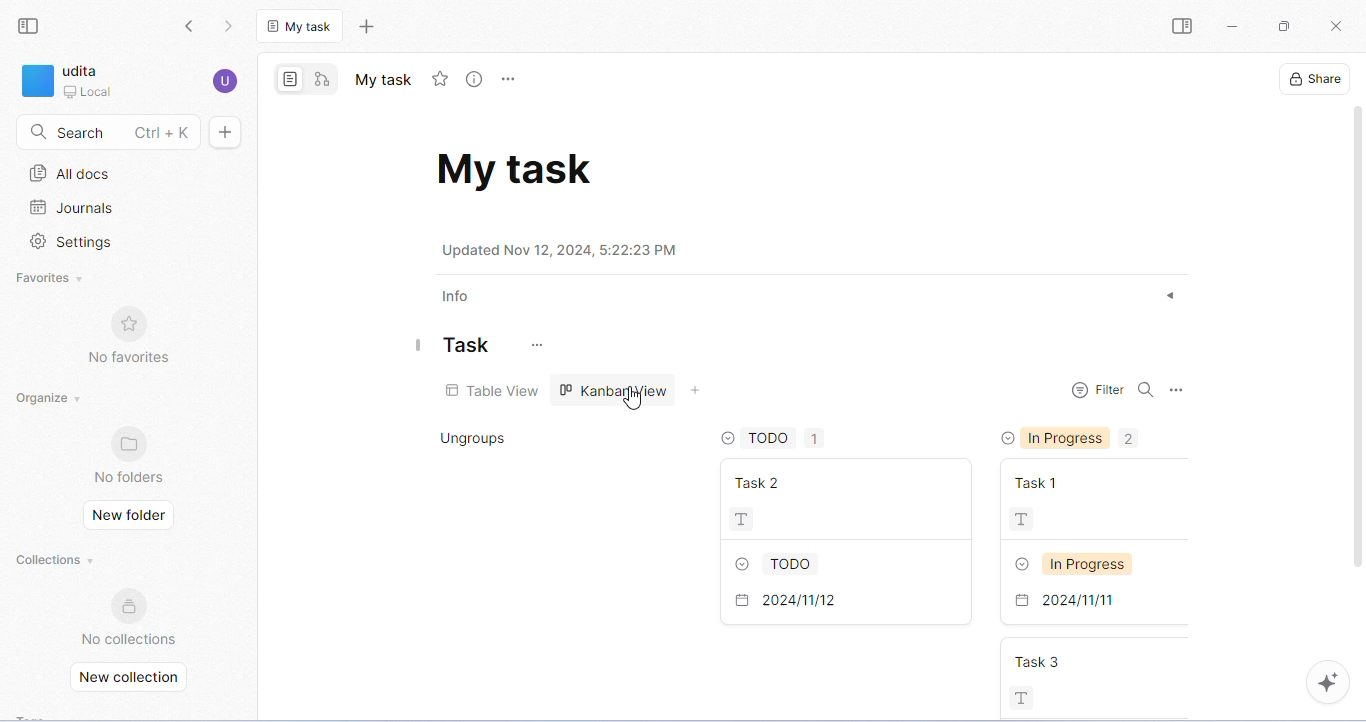 This screenshot has height=722, width=1366. What do you see at coordinates (725, 440) in the screenshot?
I see `drop down` at bounding box center [725, 440].